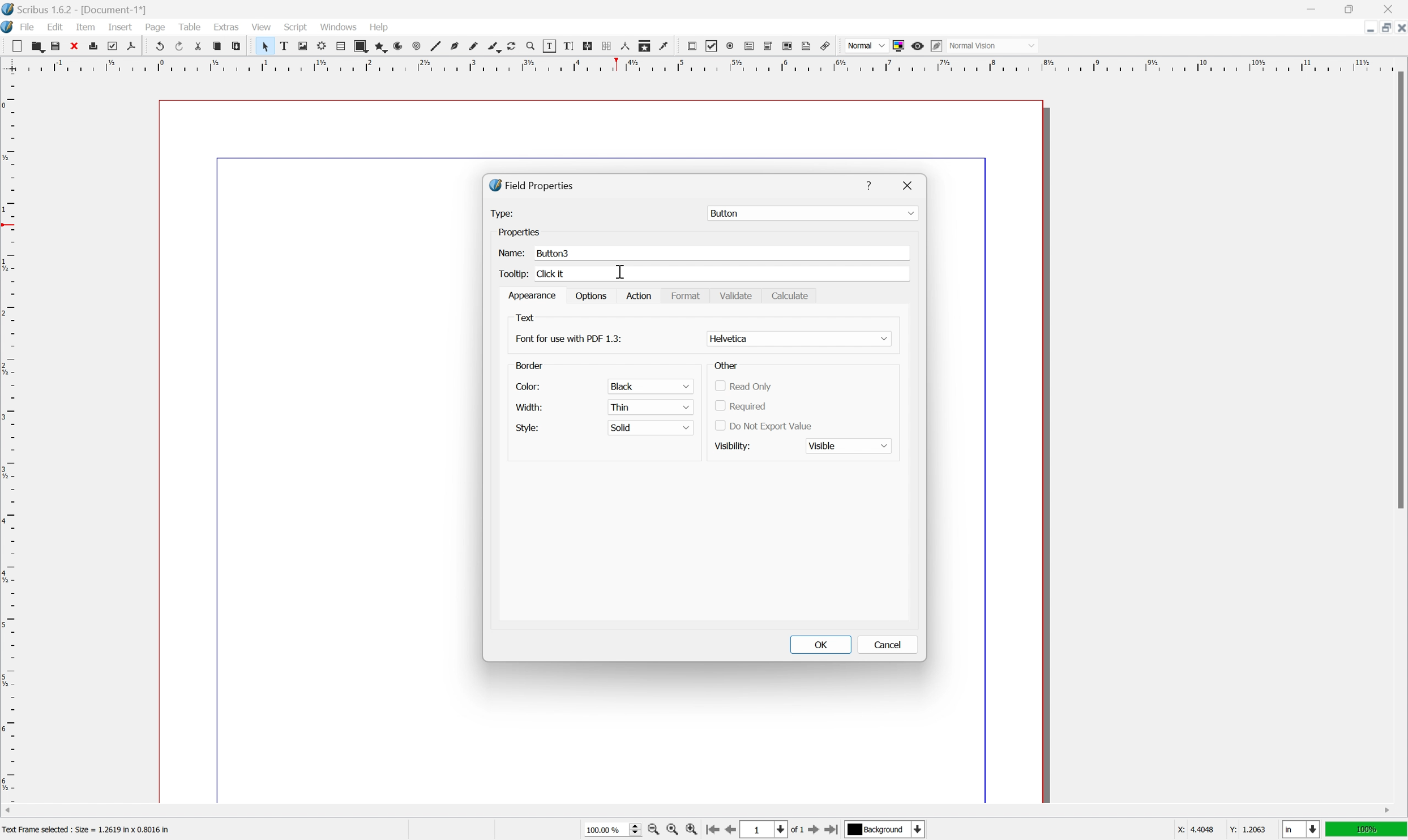 The width and height of the screenshot is (1408, 840). What do you see at coordinates (1392, 8) in the screenshot?
I see `close` at bounding box center [1392, 8].